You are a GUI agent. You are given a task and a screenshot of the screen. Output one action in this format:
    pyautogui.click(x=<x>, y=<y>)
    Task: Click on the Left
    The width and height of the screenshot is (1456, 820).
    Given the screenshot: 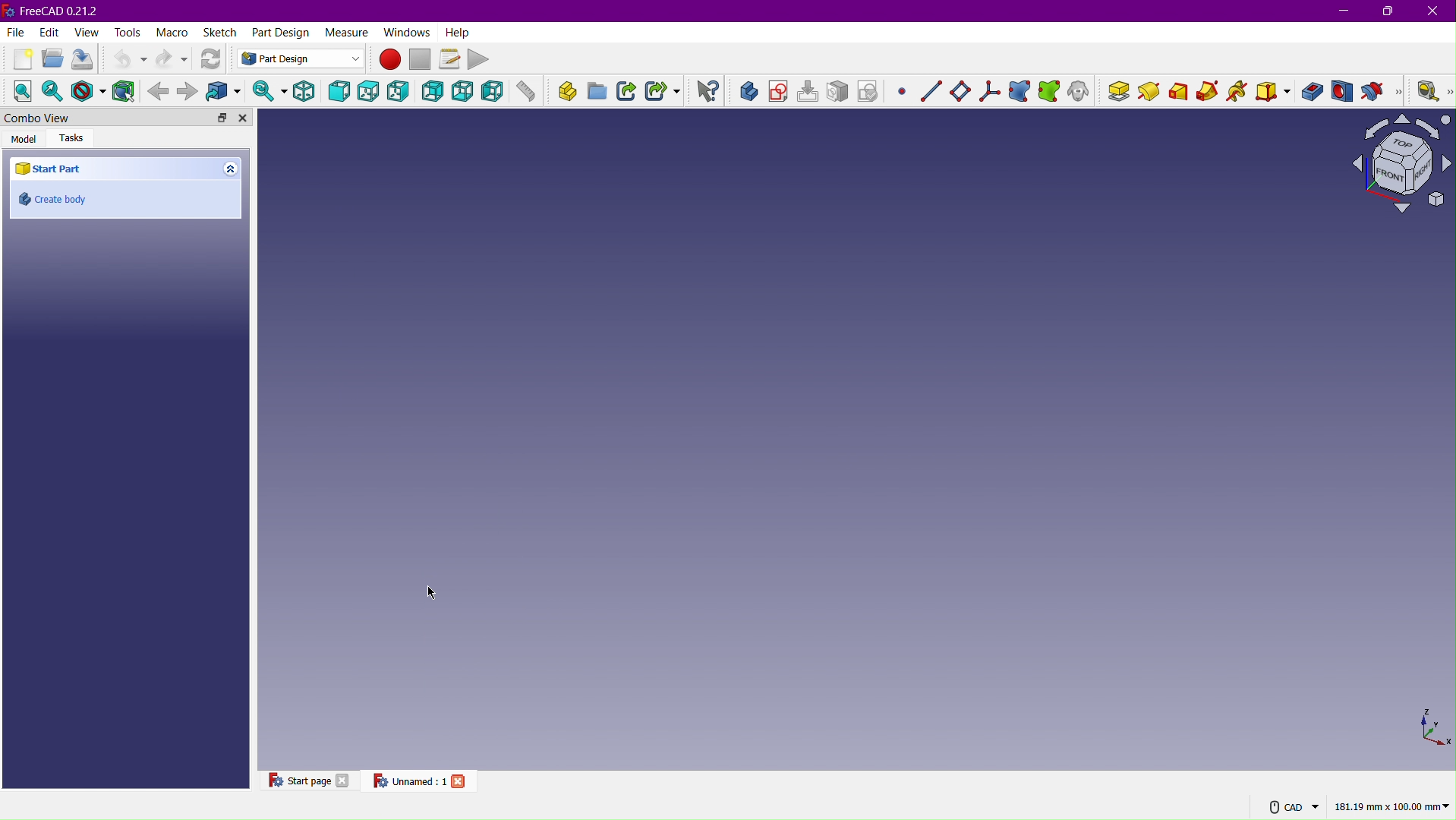 What is the action you would take?
    pyautogui.click(x=495, y=93)
    